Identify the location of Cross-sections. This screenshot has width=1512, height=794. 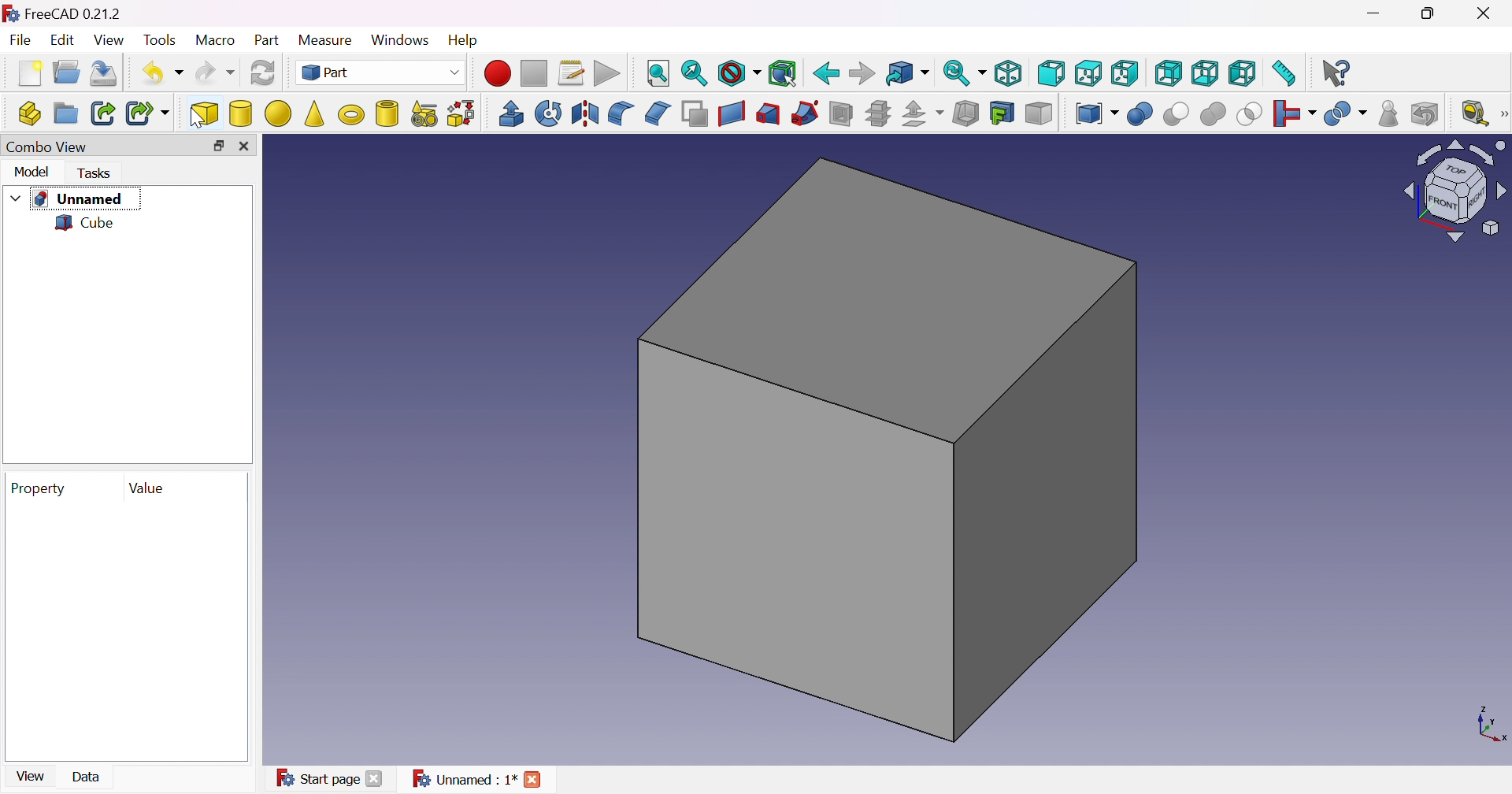
(878, 113).